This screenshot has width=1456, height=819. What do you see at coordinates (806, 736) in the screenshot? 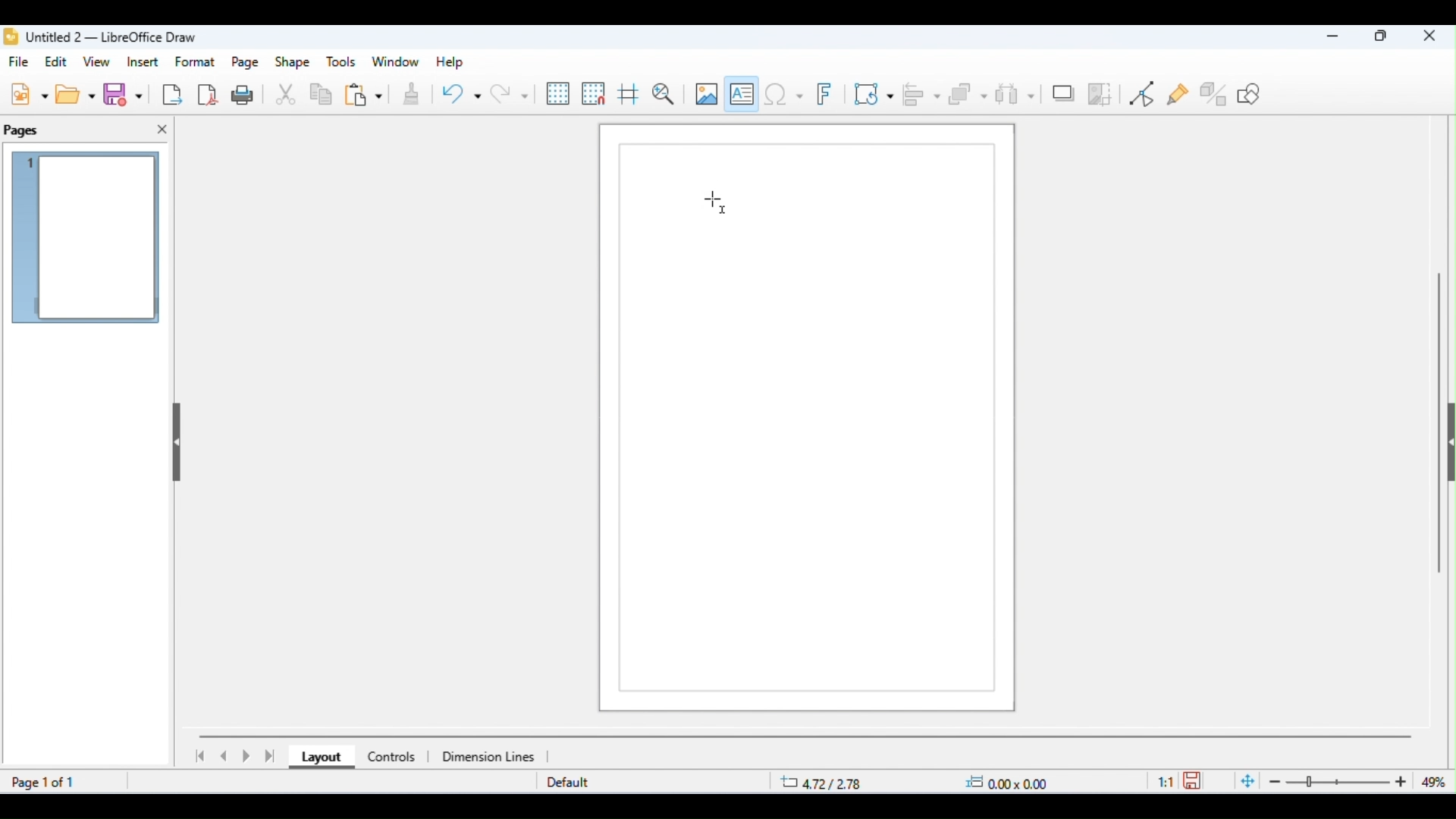
I see `horizontal scroll bar` at bounding box center [806, 736].